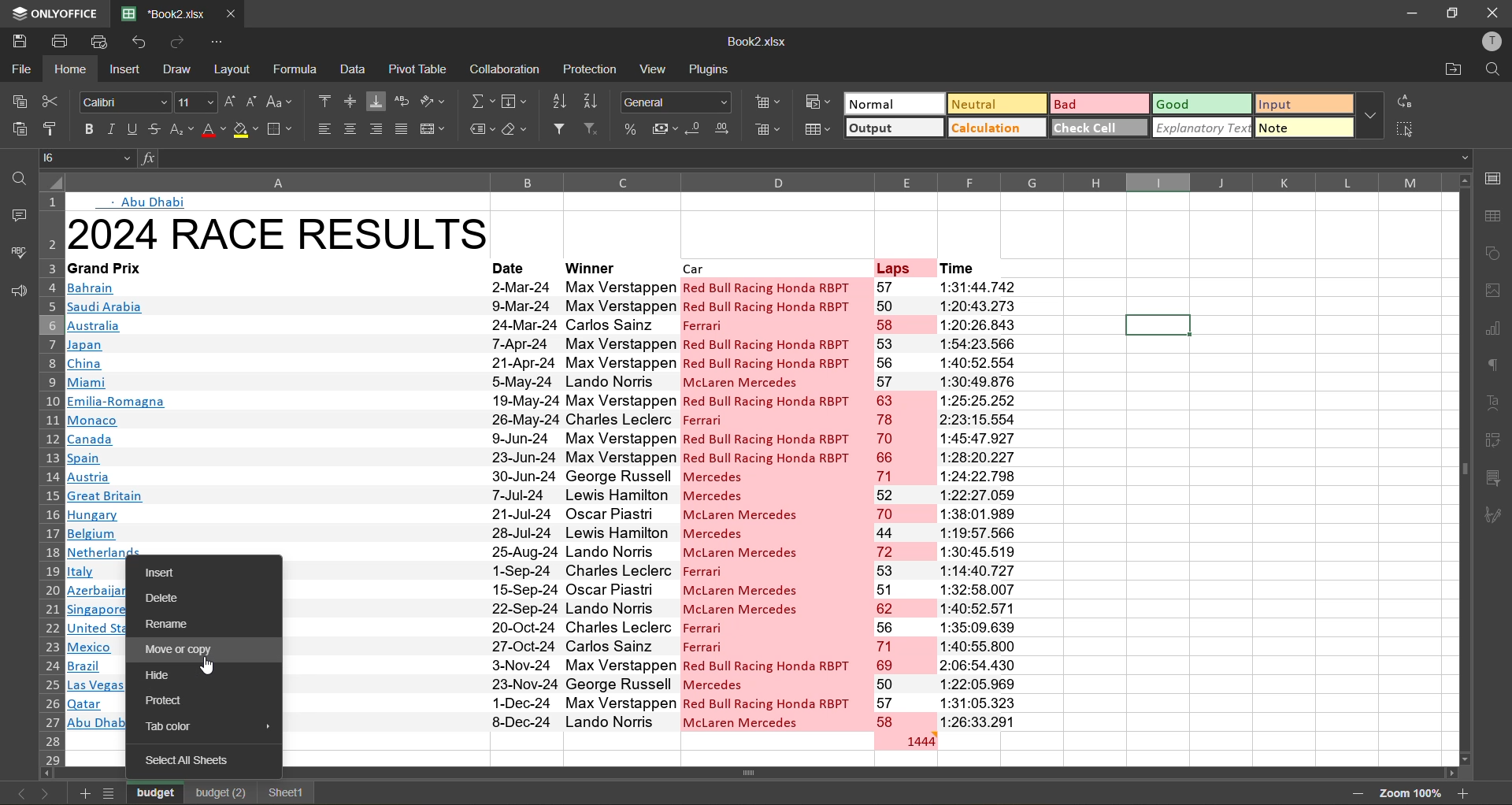  What do you see at coordinates (193, 103) in the screenshot?
I see `font size` at bounding box center [193, 103].